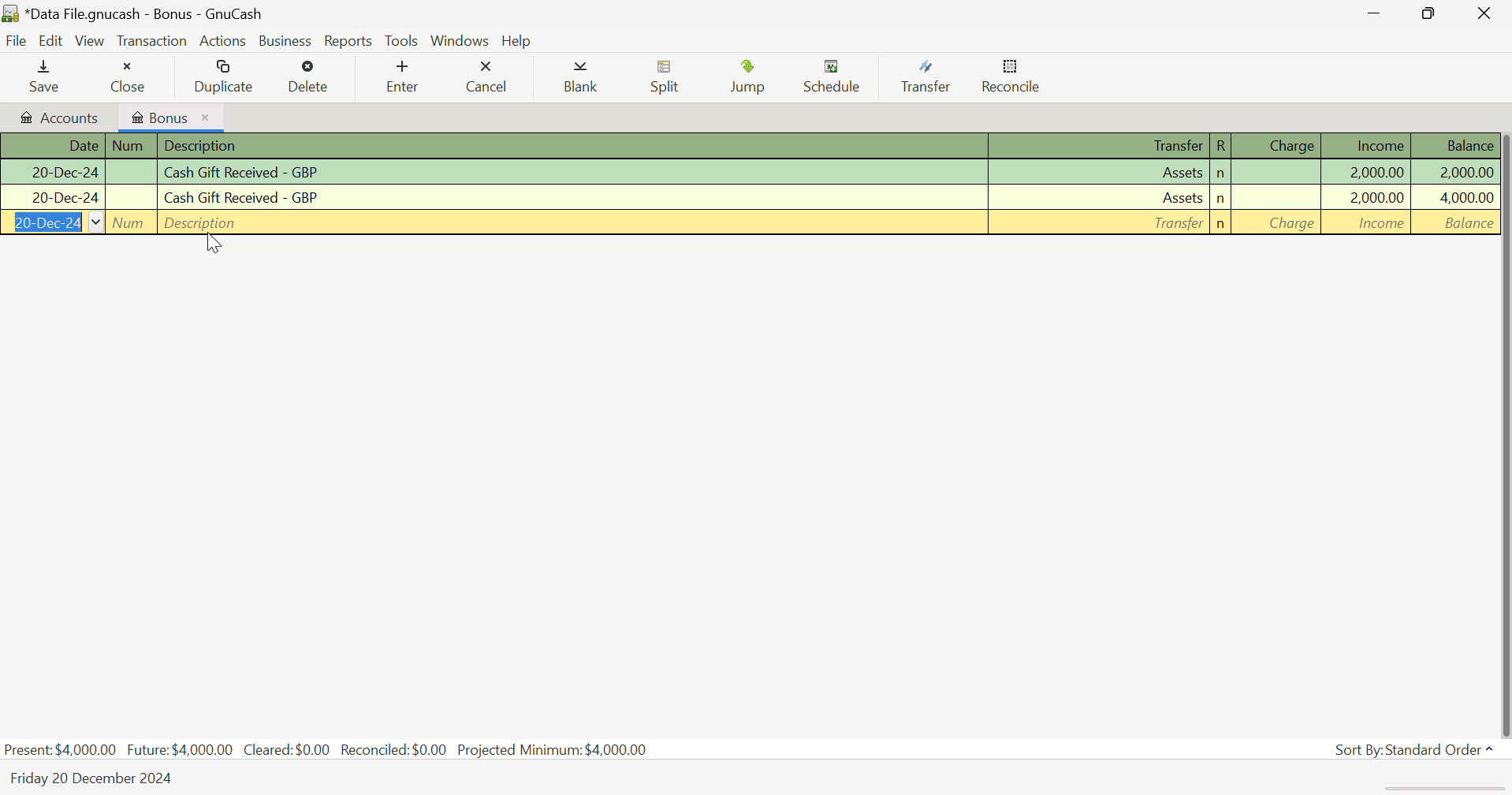 This screenshot has width=1512, height=795. I want to click on Balance, so click(1454, 145).